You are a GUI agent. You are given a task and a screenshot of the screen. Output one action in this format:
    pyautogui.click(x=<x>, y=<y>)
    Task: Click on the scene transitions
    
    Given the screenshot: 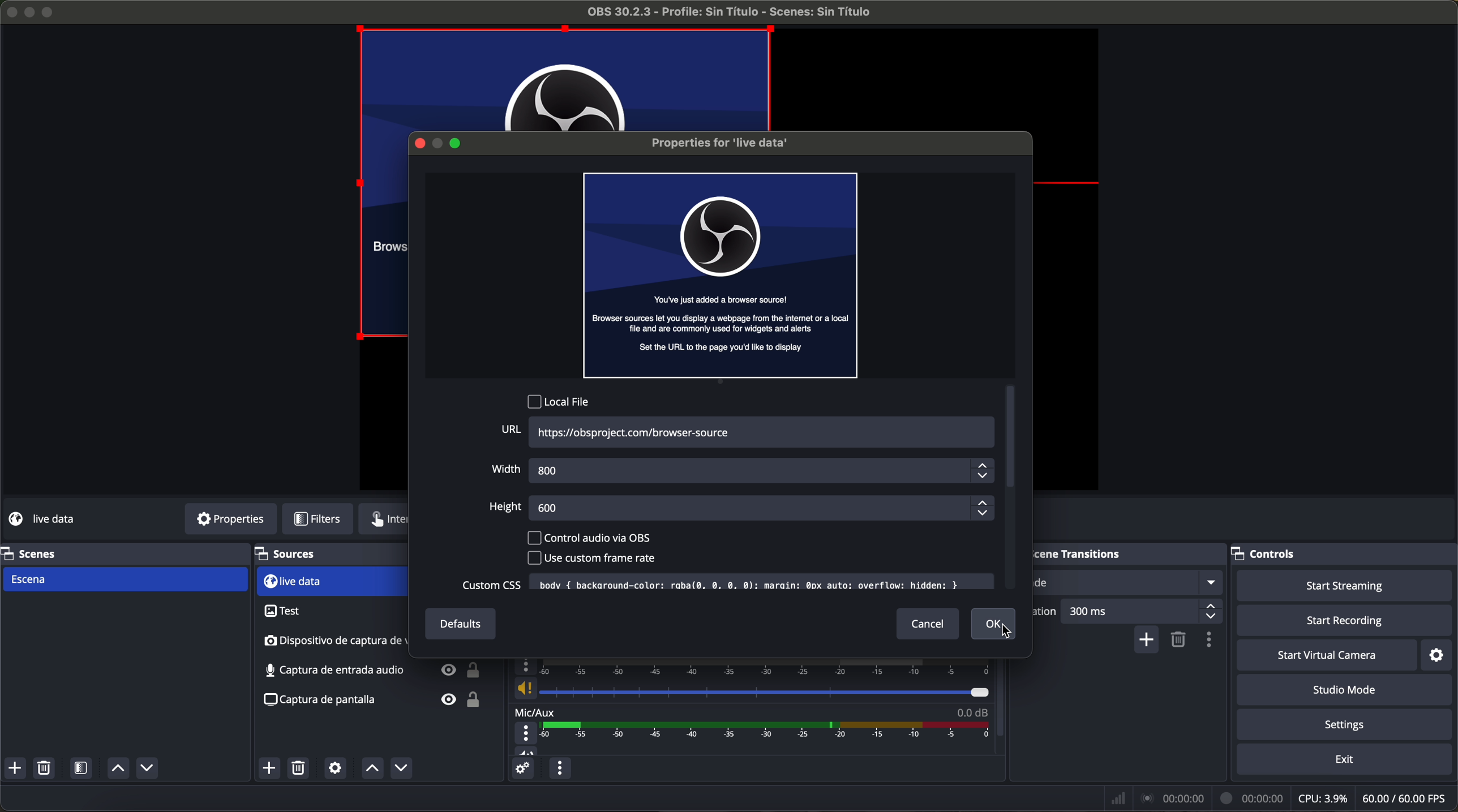 What is the action you would take?
    pyautogui.click(x=1079, y=553)
    